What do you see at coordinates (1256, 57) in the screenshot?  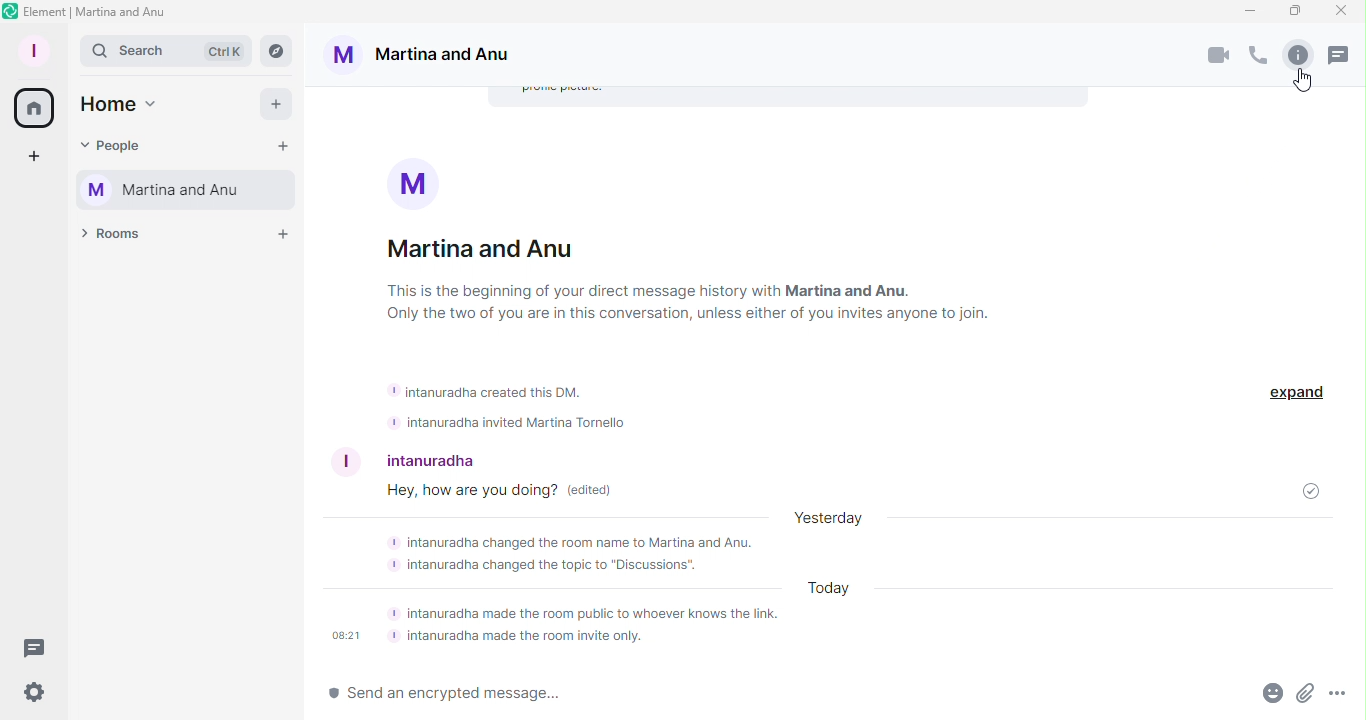 I see `Call` at bounding box center [1256, 57].